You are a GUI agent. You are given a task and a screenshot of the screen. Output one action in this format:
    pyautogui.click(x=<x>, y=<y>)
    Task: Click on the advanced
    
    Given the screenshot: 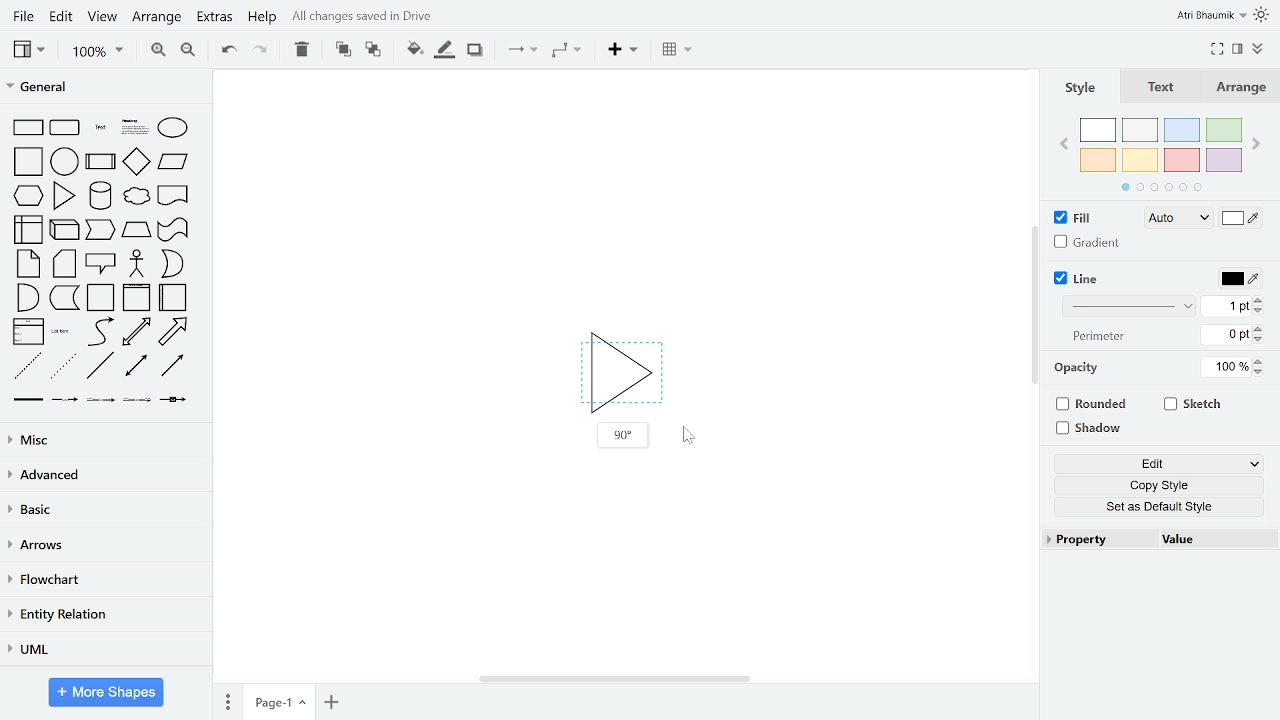 What is the action you would take?
    pyautogui.click(x=103, y=477)
    